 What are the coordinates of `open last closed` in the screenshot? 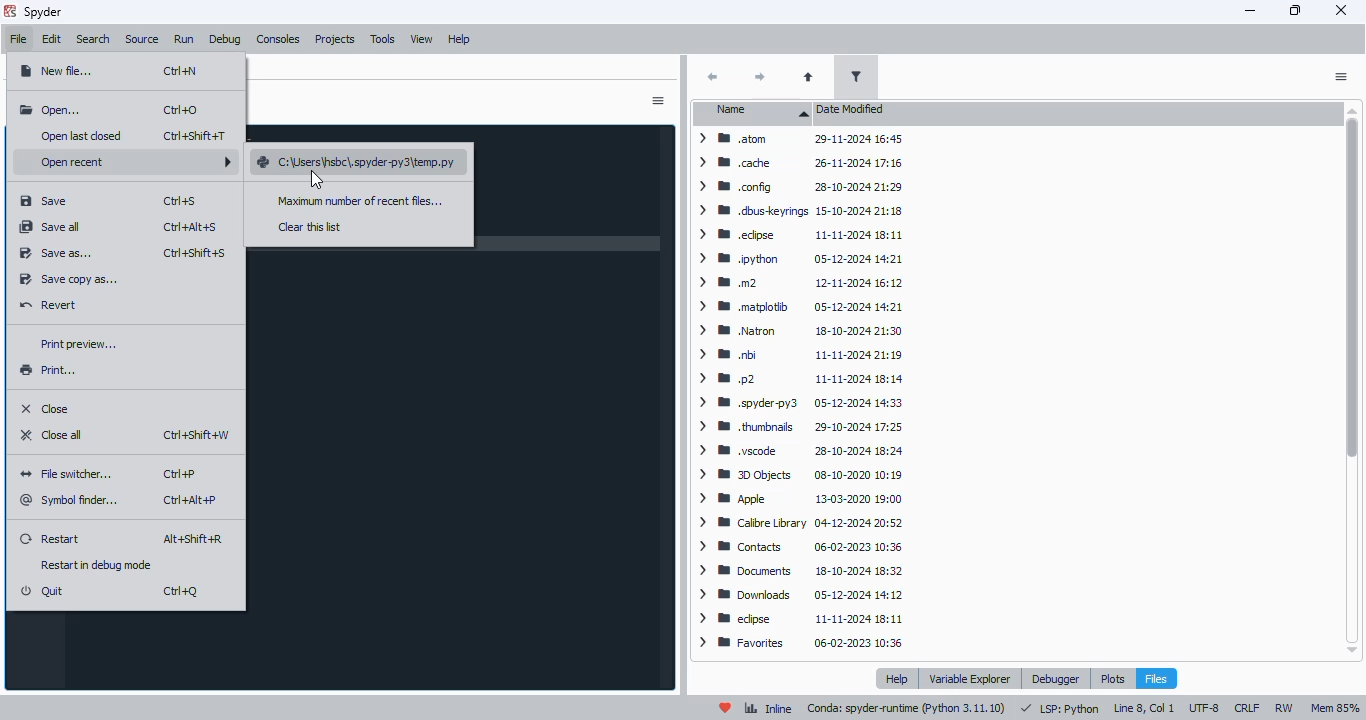 It's located at (84, 135).